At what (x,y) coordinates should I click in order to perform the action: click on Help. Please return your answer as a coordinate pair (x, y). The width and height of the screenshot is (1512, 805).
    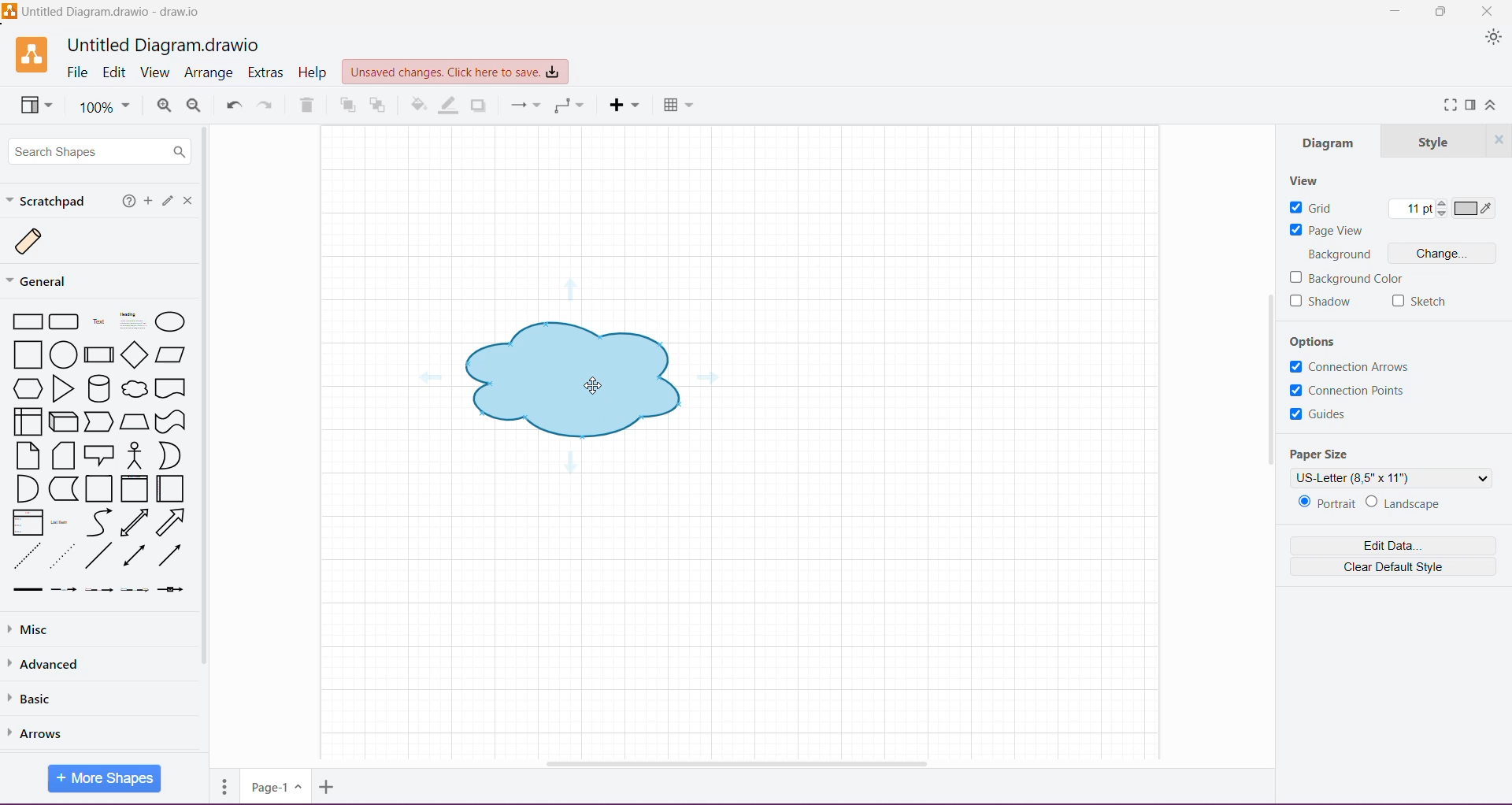
    Looking at the image, I should click on (129, 202).